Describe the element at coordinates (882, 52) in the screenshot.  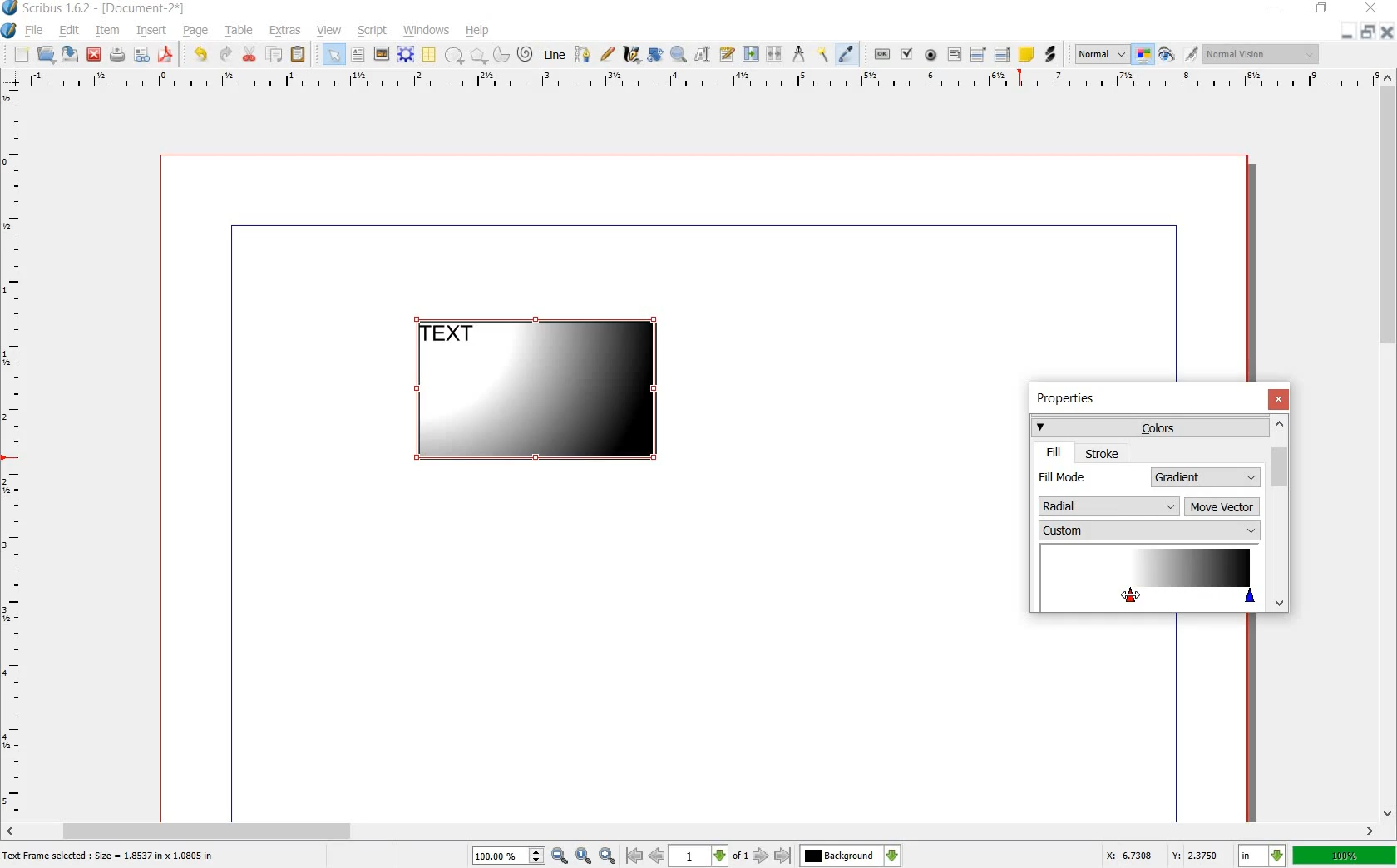
I see `pdf push button` at that location.